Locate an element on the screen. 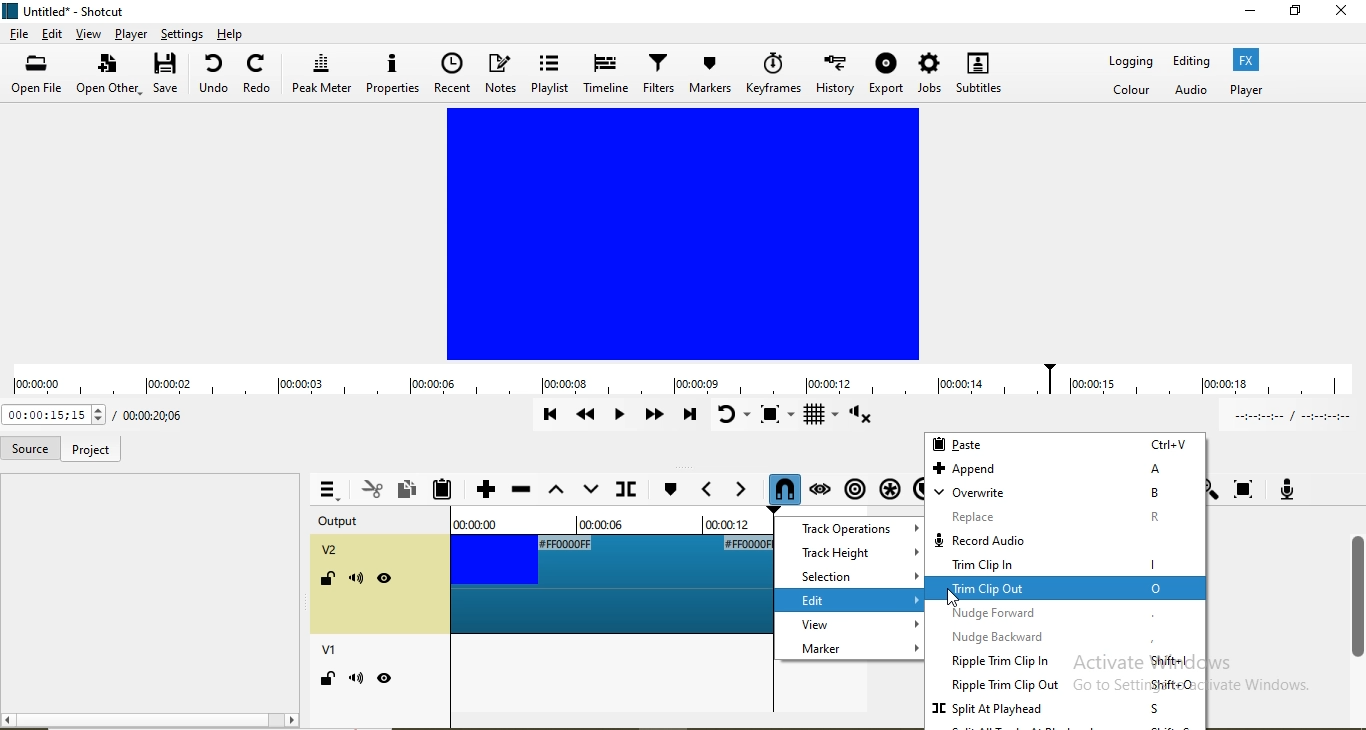 The image size is (1366, 730). edit is located at coordinates (849, 601).